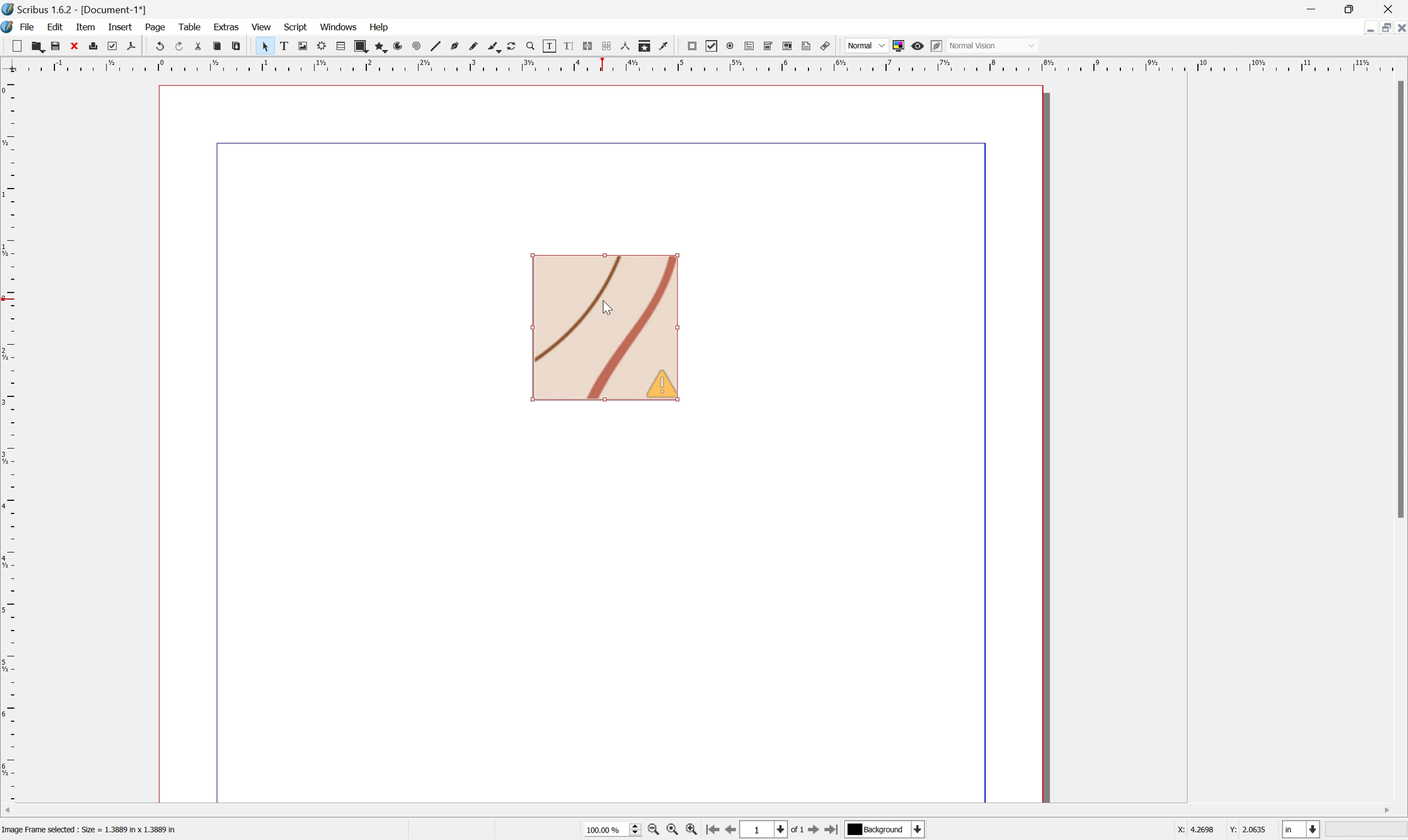  Describe the element at coordinates (715, 47) in the screenshot. I see `PDF check box` at that location.